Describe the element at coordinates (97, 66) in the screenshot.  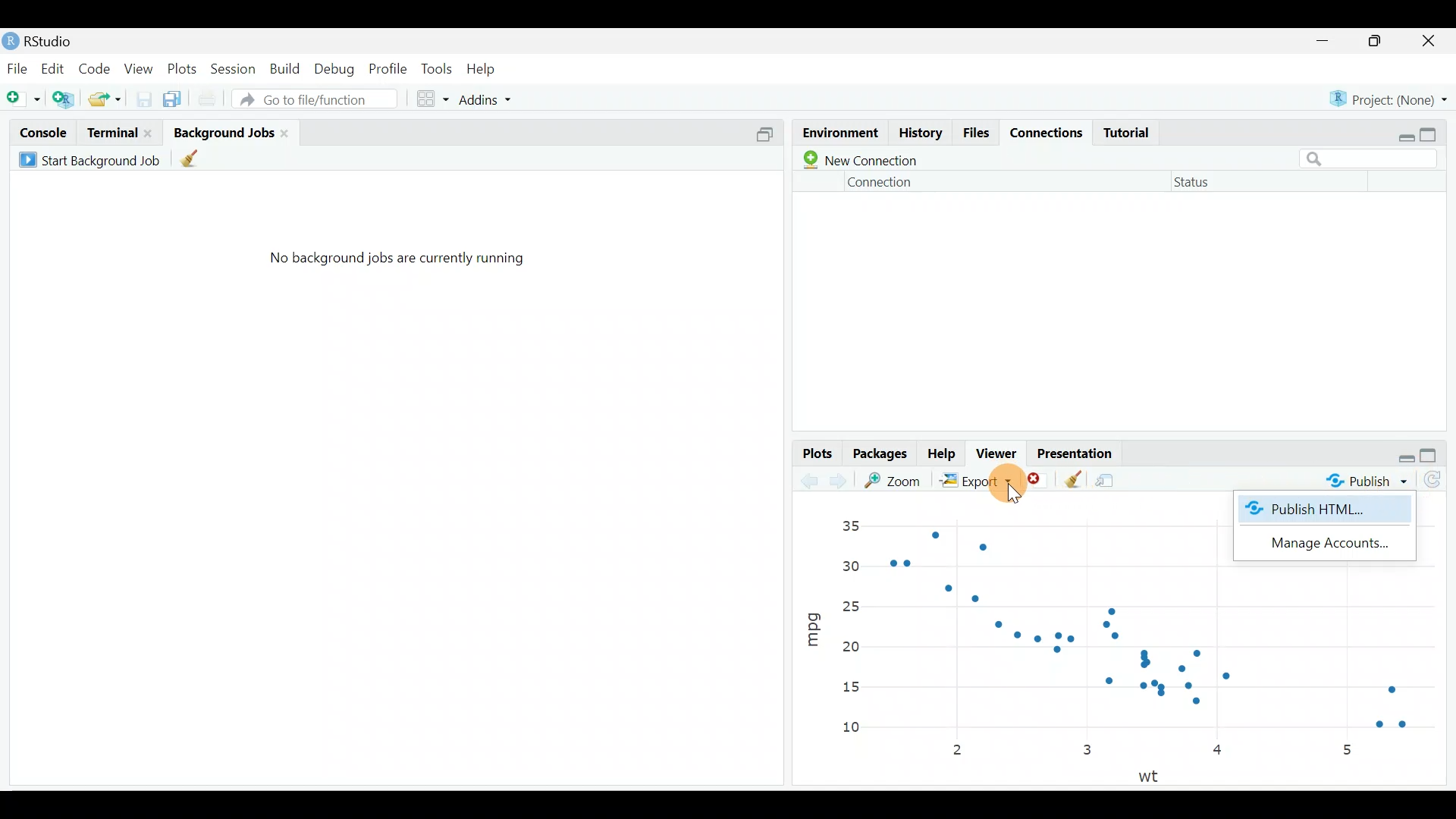
I see `Code` at that location.